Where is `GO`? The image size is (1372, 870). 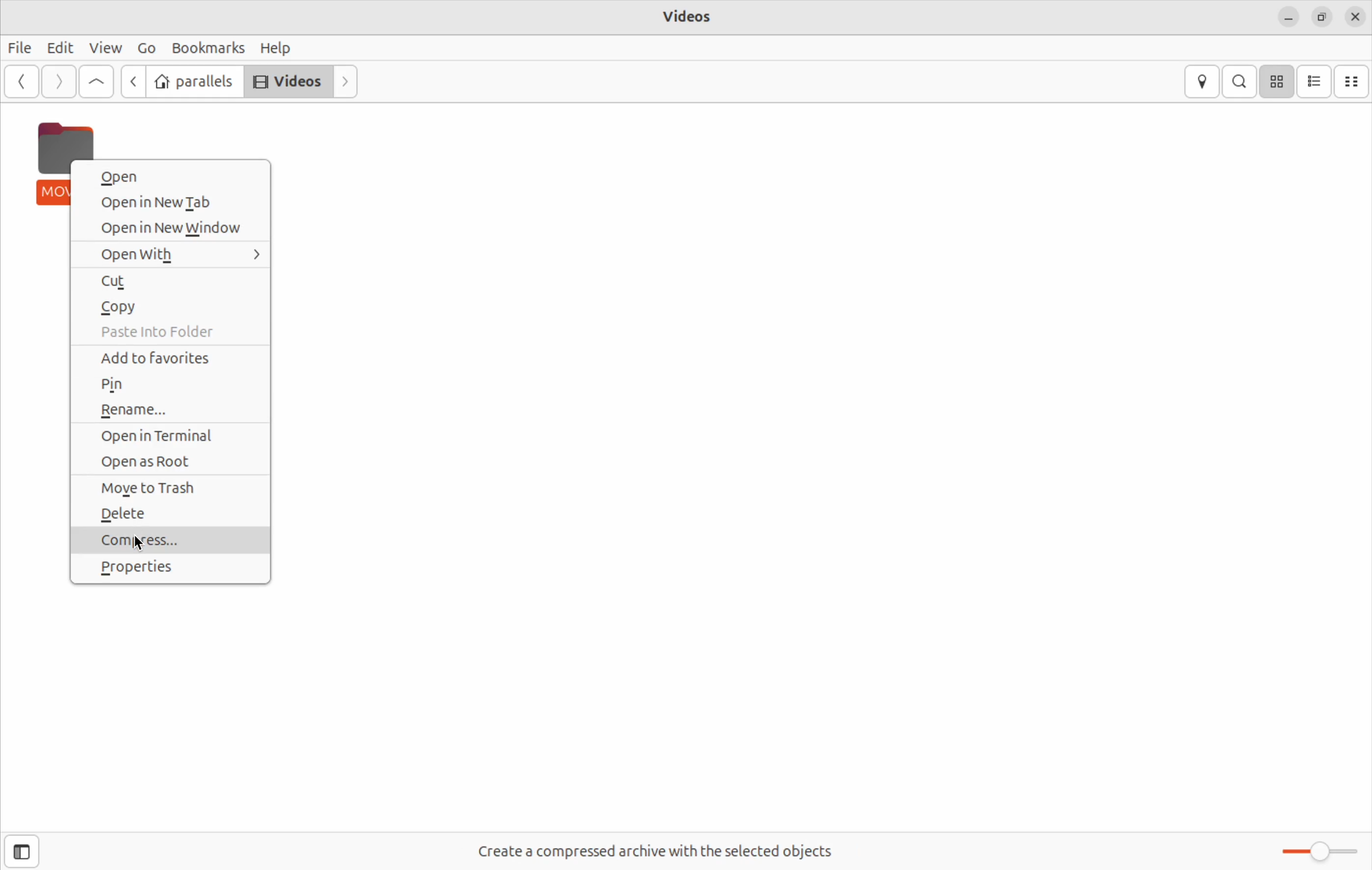 GO is located at coordinates (145, 48).